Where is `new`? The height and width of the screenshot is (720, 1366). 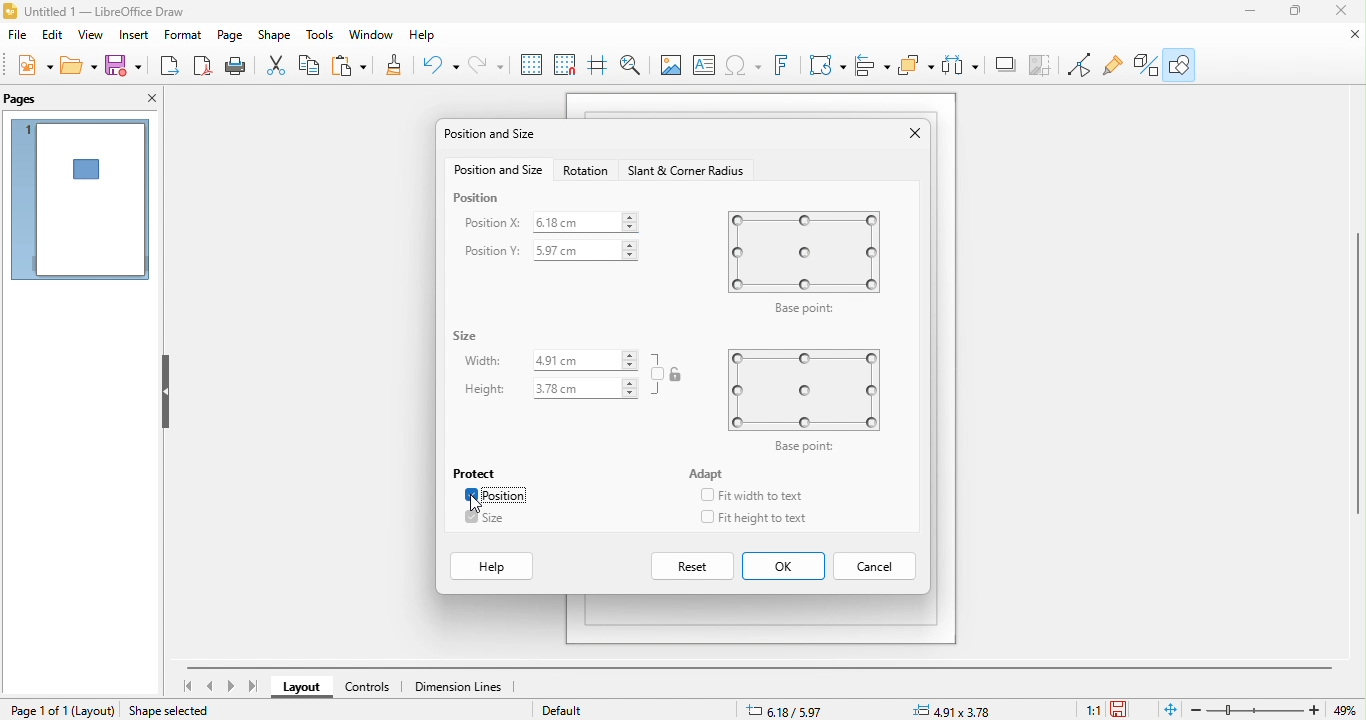 new is located at coordinates (38, 64).